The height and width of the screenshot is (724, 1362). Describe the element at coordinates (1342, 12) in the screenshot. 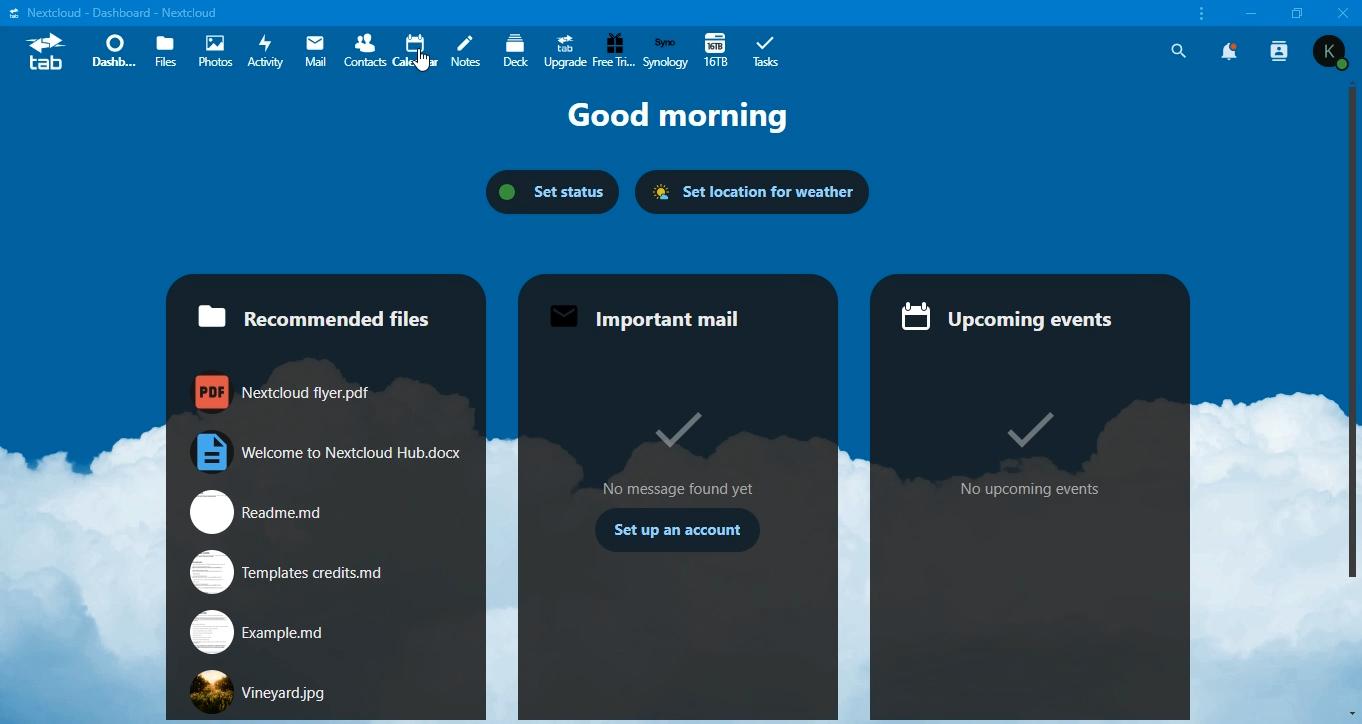

I see `close` at that location.